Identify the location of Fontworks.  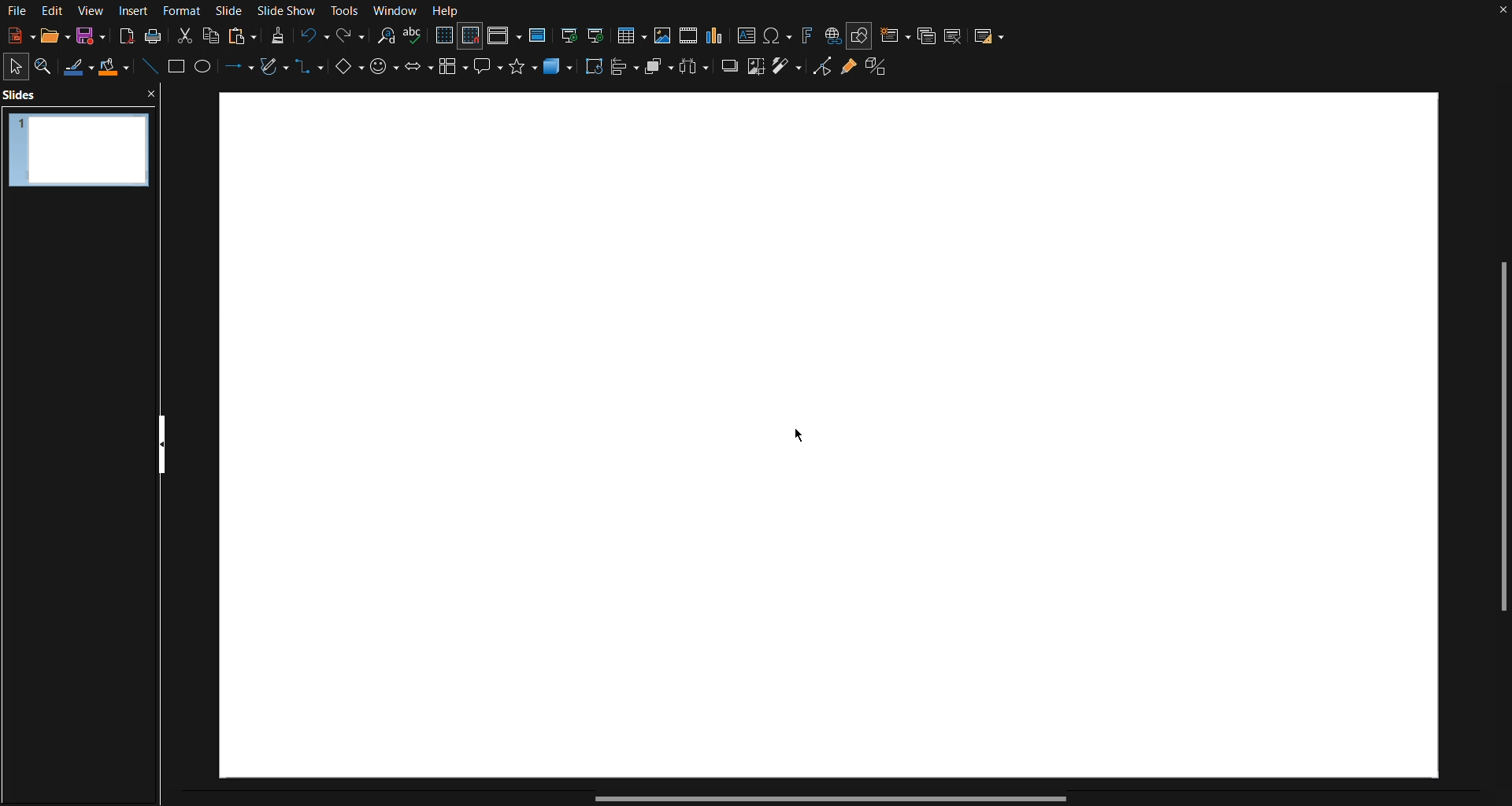
(806, 34).